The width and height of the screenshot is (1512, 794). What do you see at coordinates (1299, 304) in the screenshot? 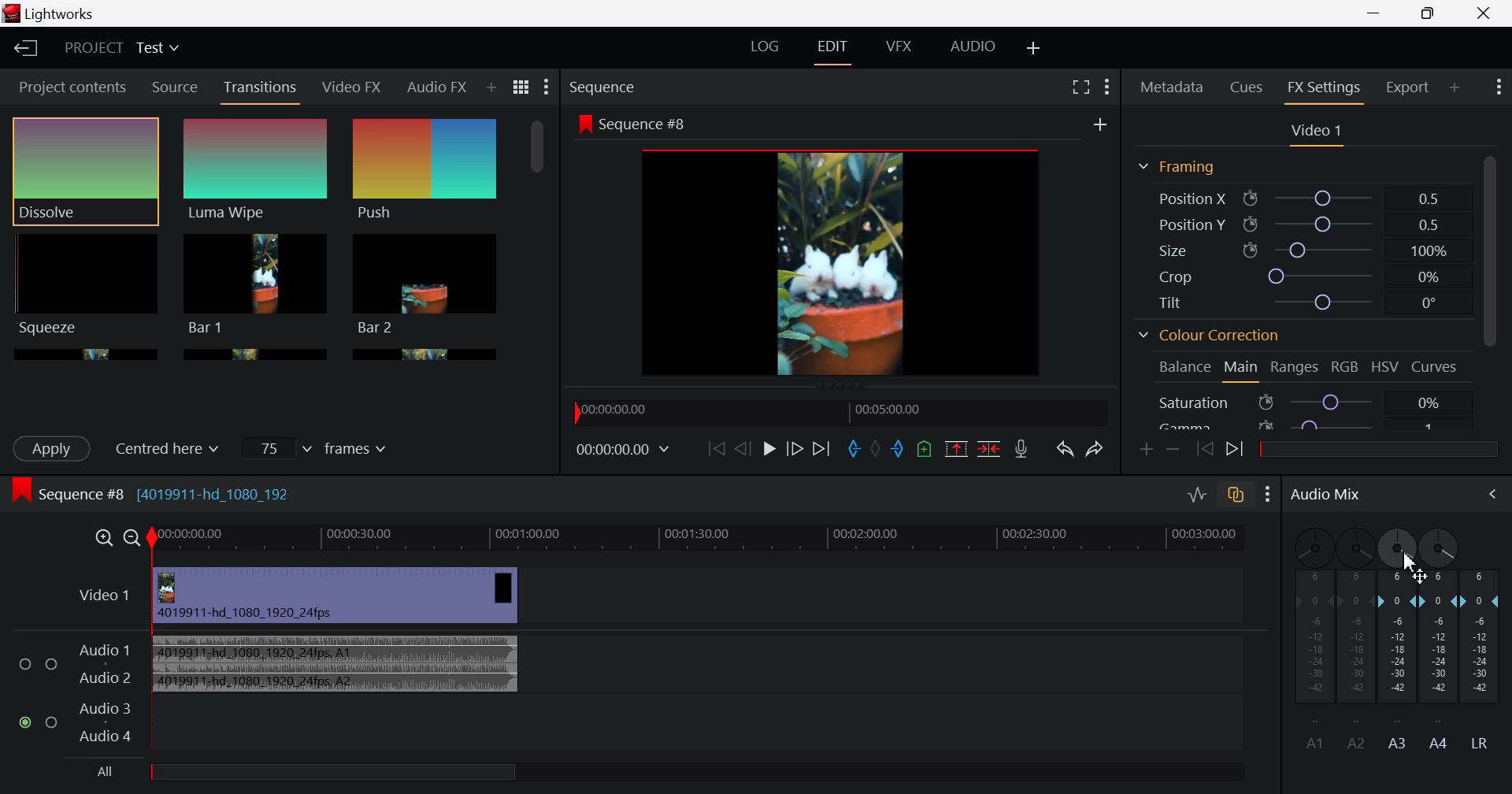
I see `Tilt` at bounding box center [1299, 304].